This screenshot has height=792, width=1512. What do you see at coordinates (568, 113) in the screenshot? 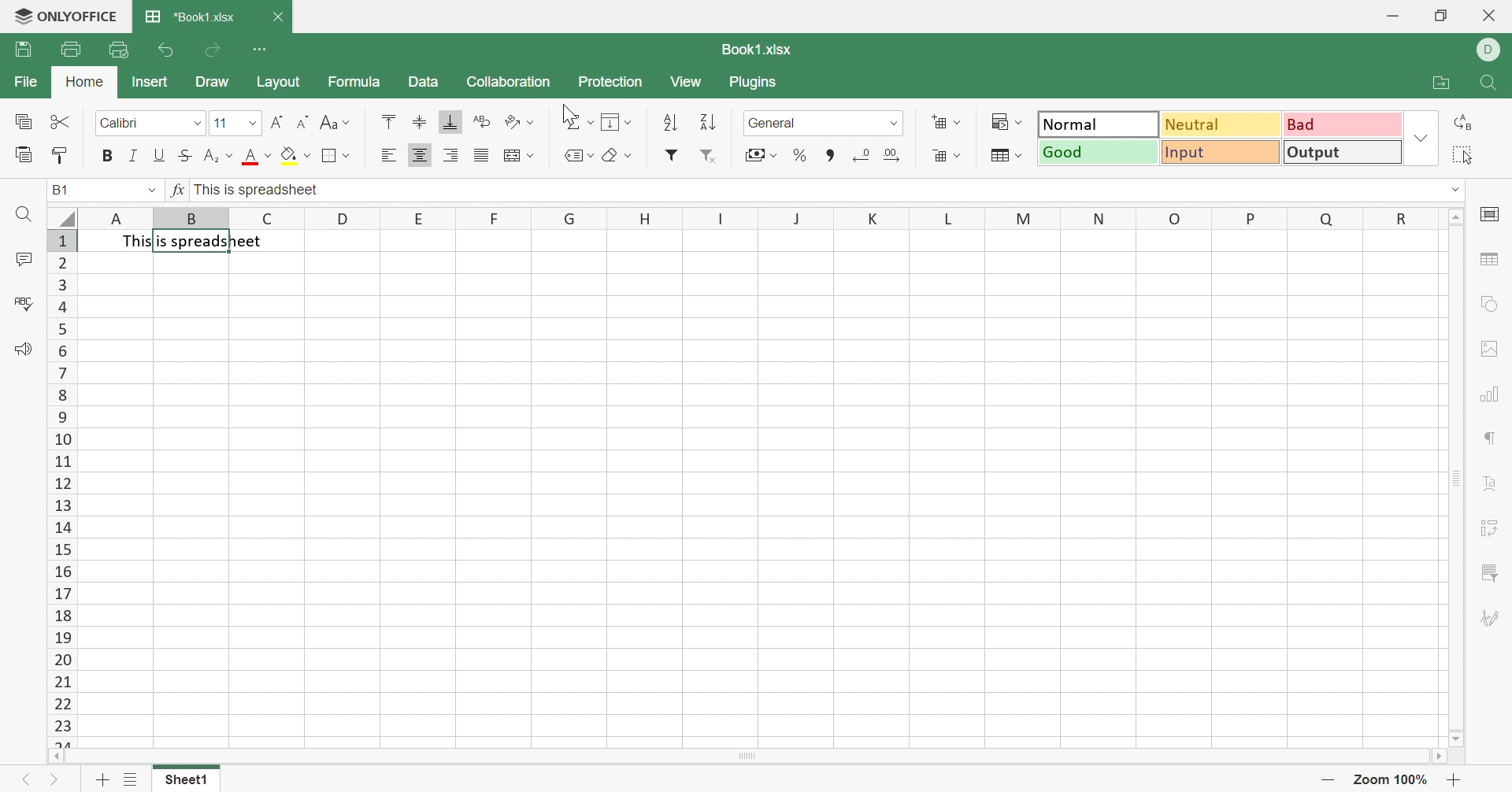
I see `Cursor` at bounding box center [568, 113].